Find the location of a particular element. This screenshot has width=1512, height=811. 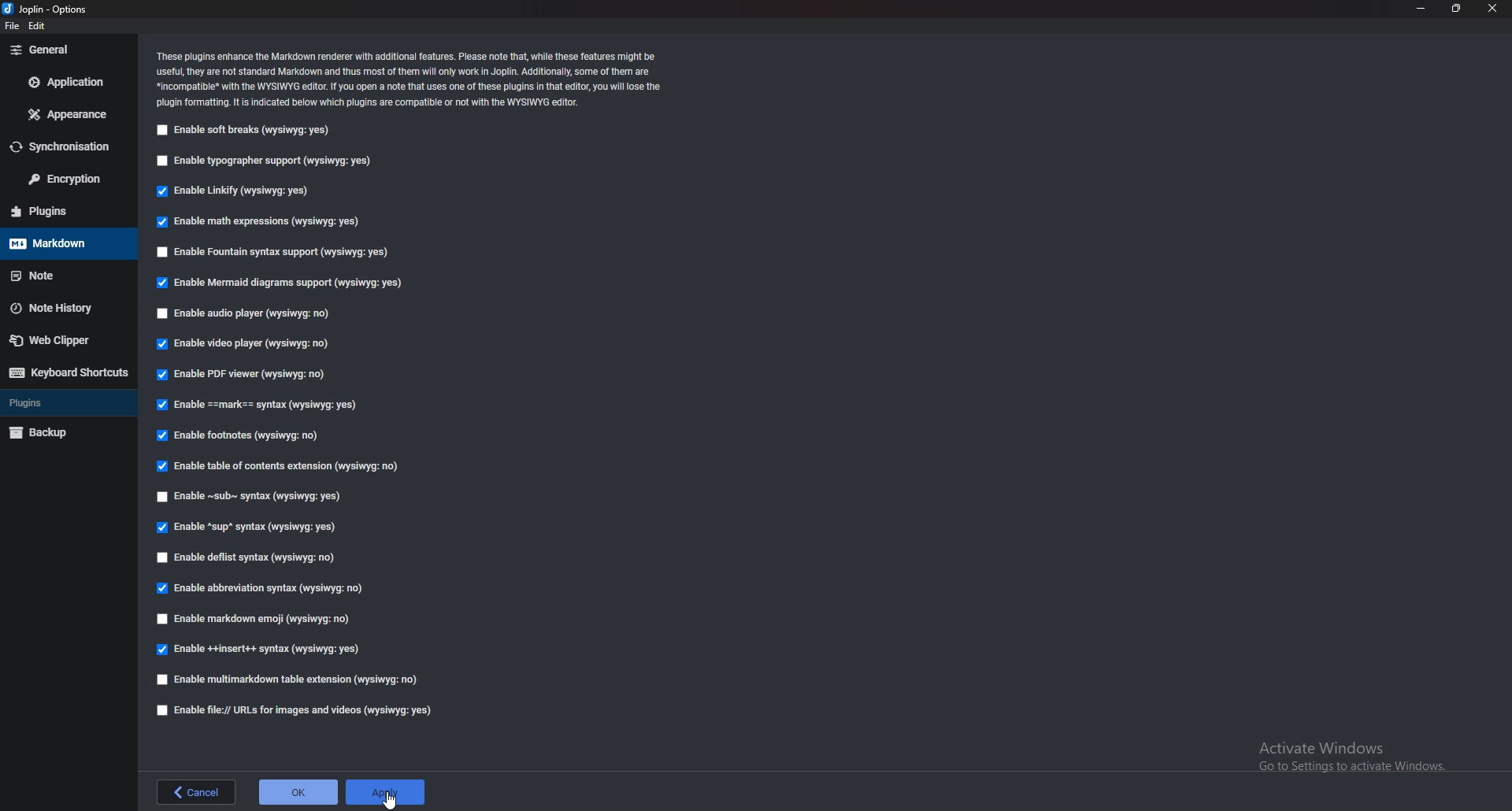

Enable Sub syntax is located at coordinates (252, 497).